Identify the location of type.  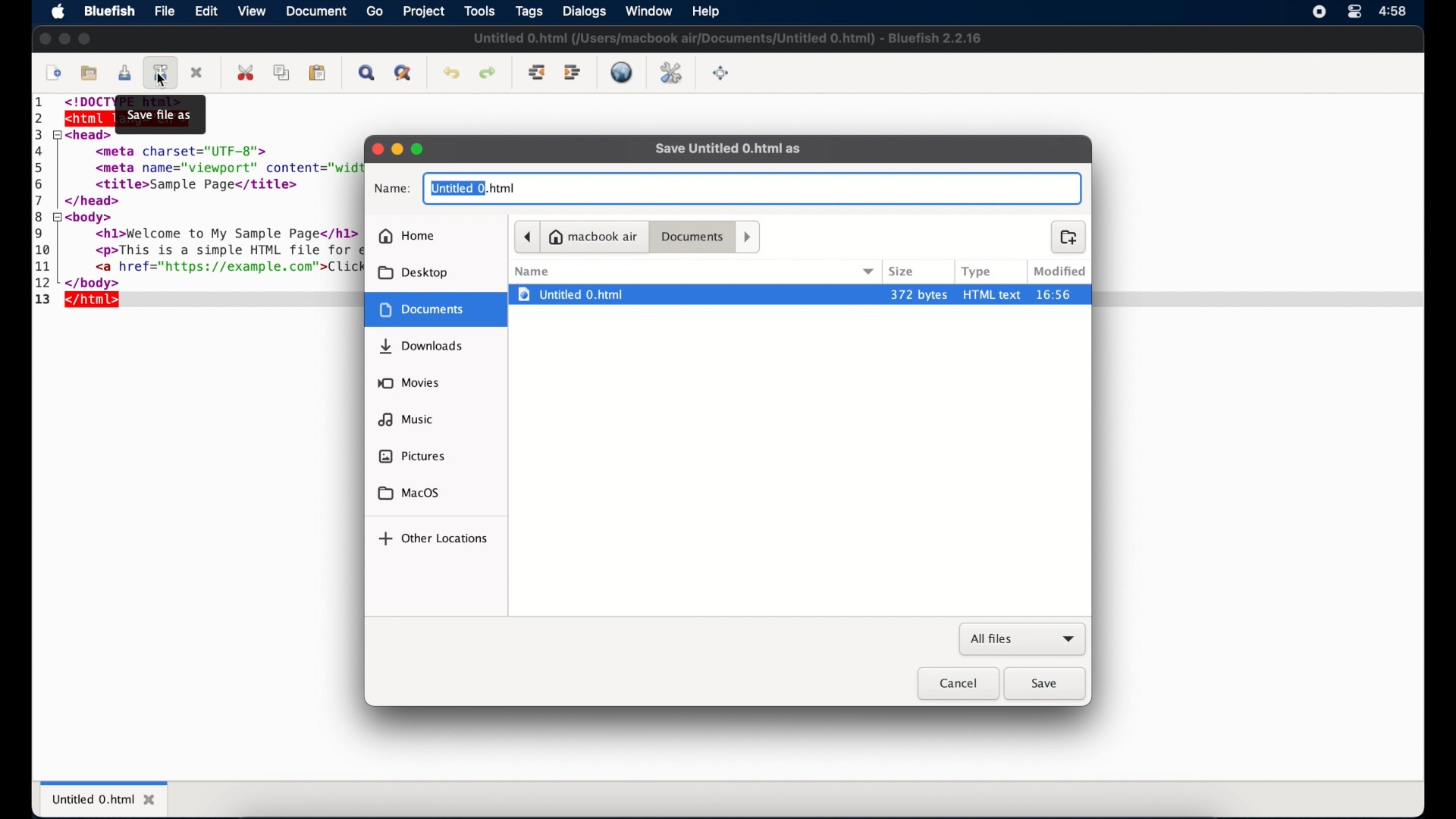
(979, 272).